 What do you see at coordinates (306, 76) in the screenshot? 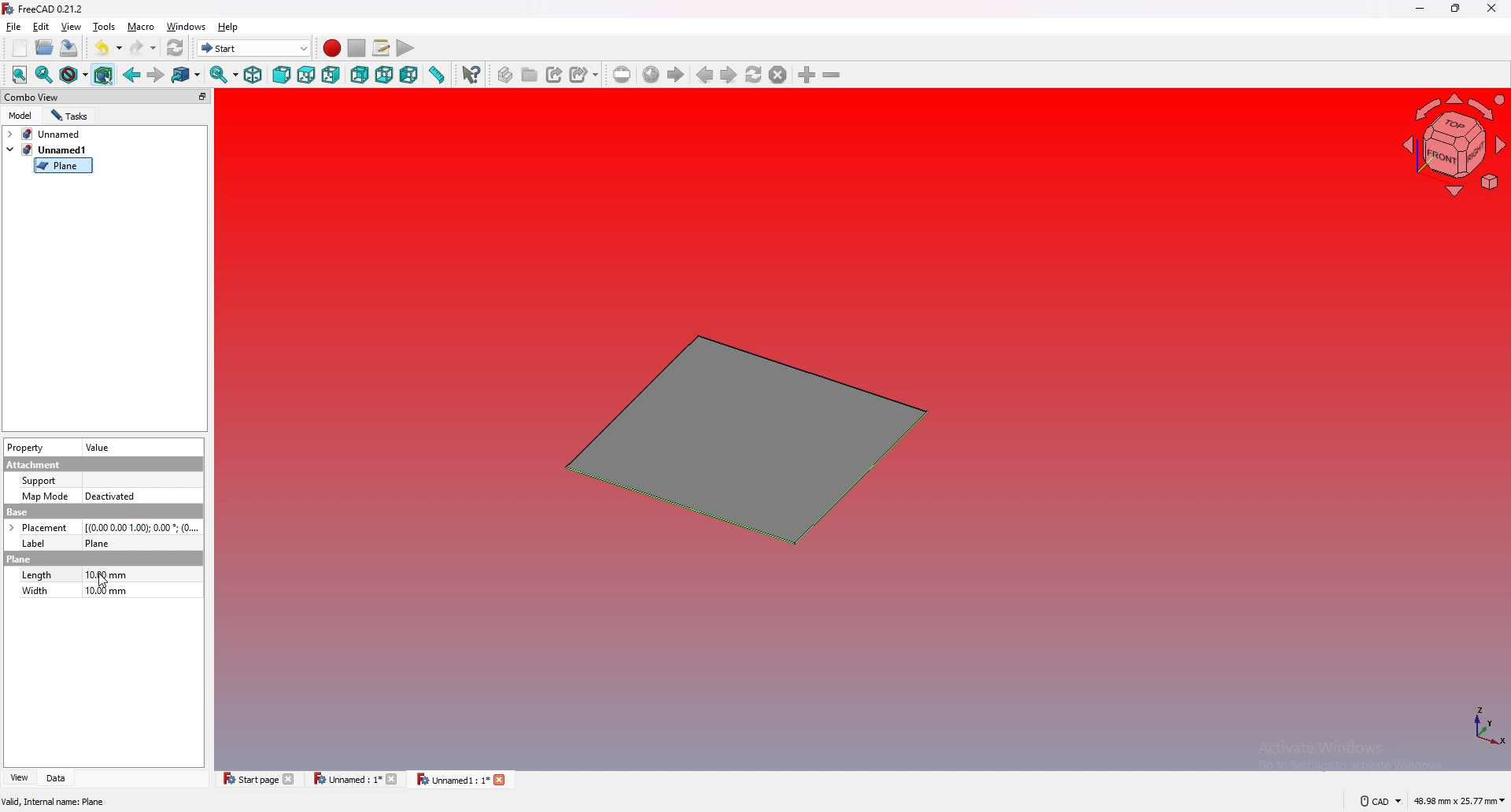
I see `top` at bounding box center [306, 76].